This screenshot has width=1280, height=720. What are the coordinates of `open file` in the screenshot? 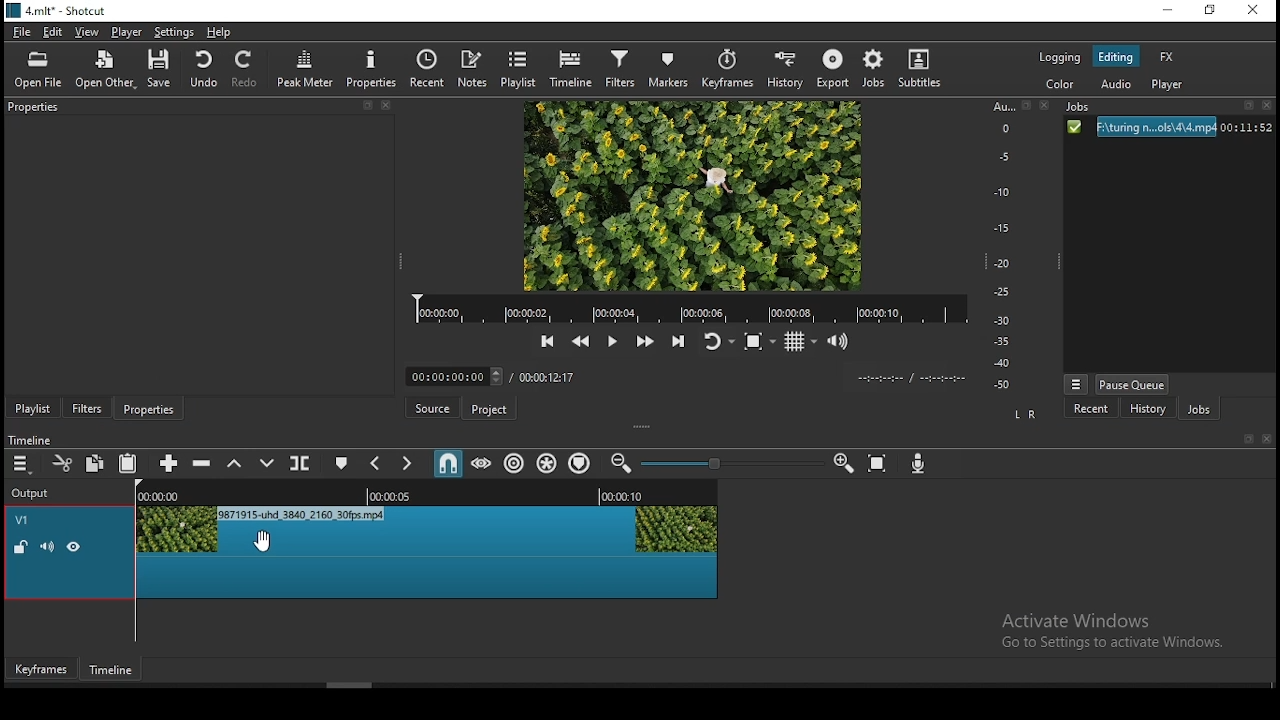 It's located at (39, 70).